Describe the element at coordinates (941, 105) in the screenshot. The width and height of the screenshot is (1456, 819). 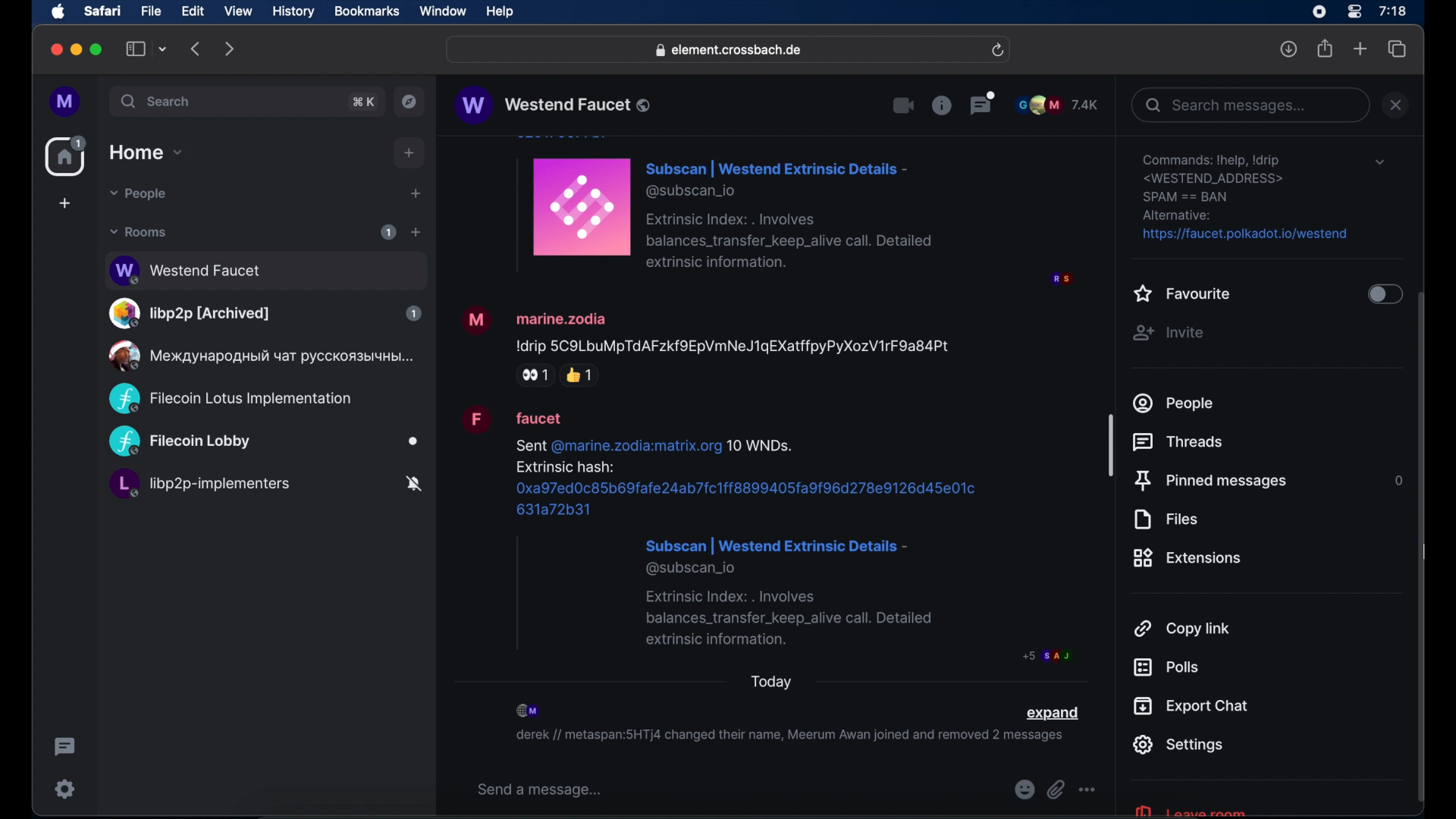
I see `information` at that location.